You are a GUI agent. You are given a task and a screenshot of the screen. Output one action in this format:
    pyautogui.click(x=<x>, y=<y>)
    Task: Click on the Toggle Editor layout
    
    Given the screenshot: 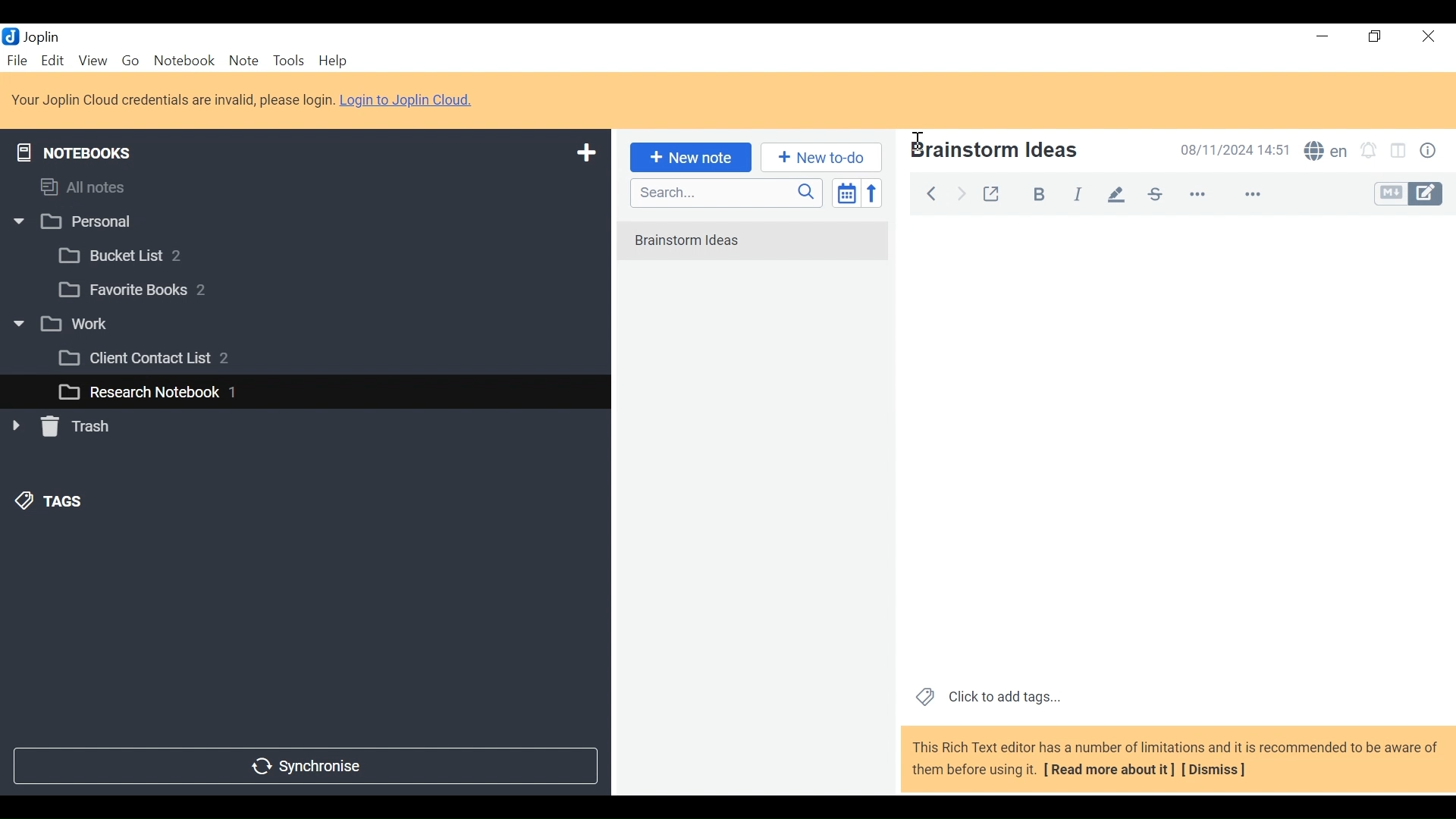 What is the action you would take?
    pyautogui.click(x=1399, y=152)
    